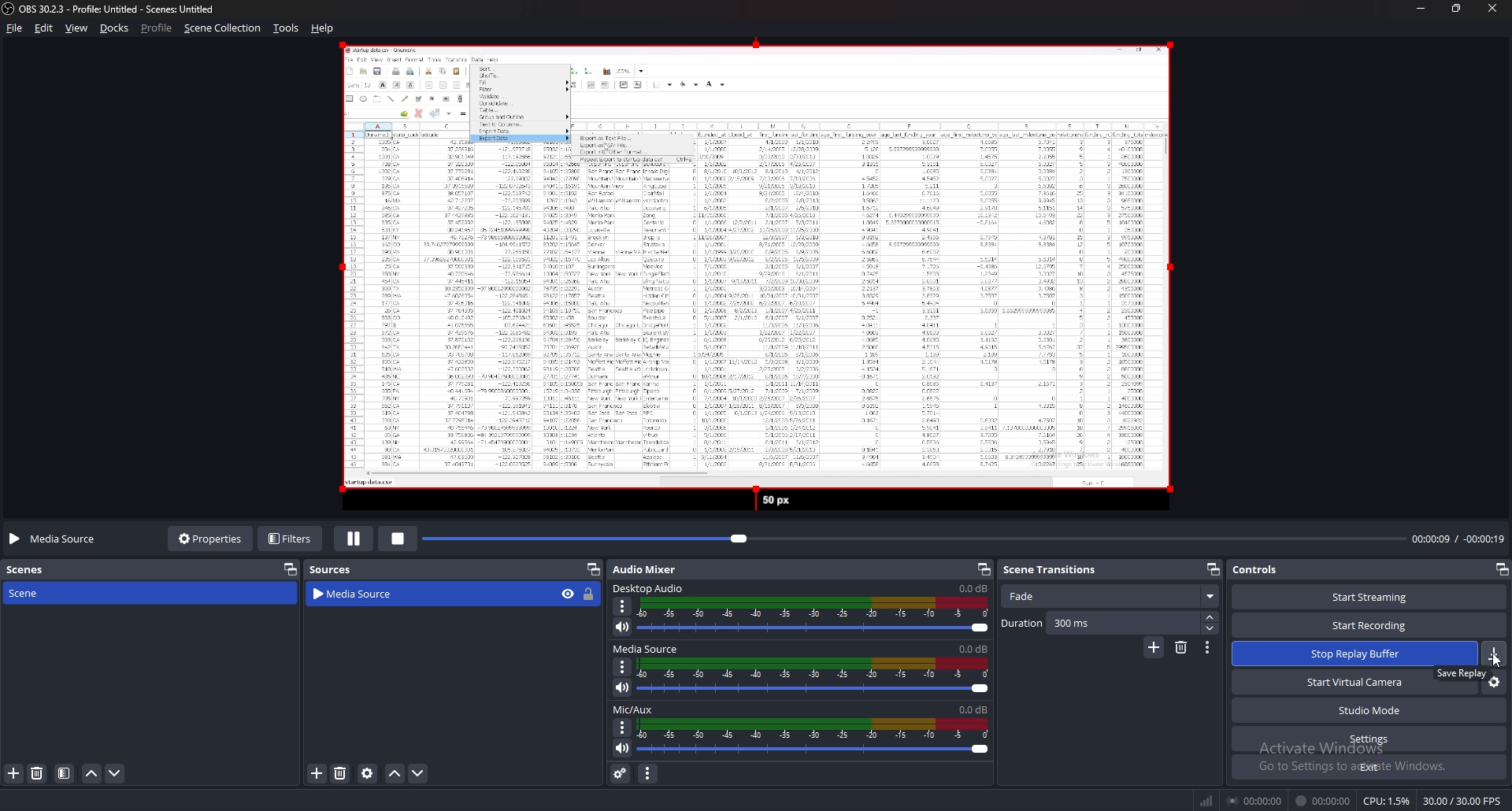  I want to click on start replay buffer, so click(1370, 653).